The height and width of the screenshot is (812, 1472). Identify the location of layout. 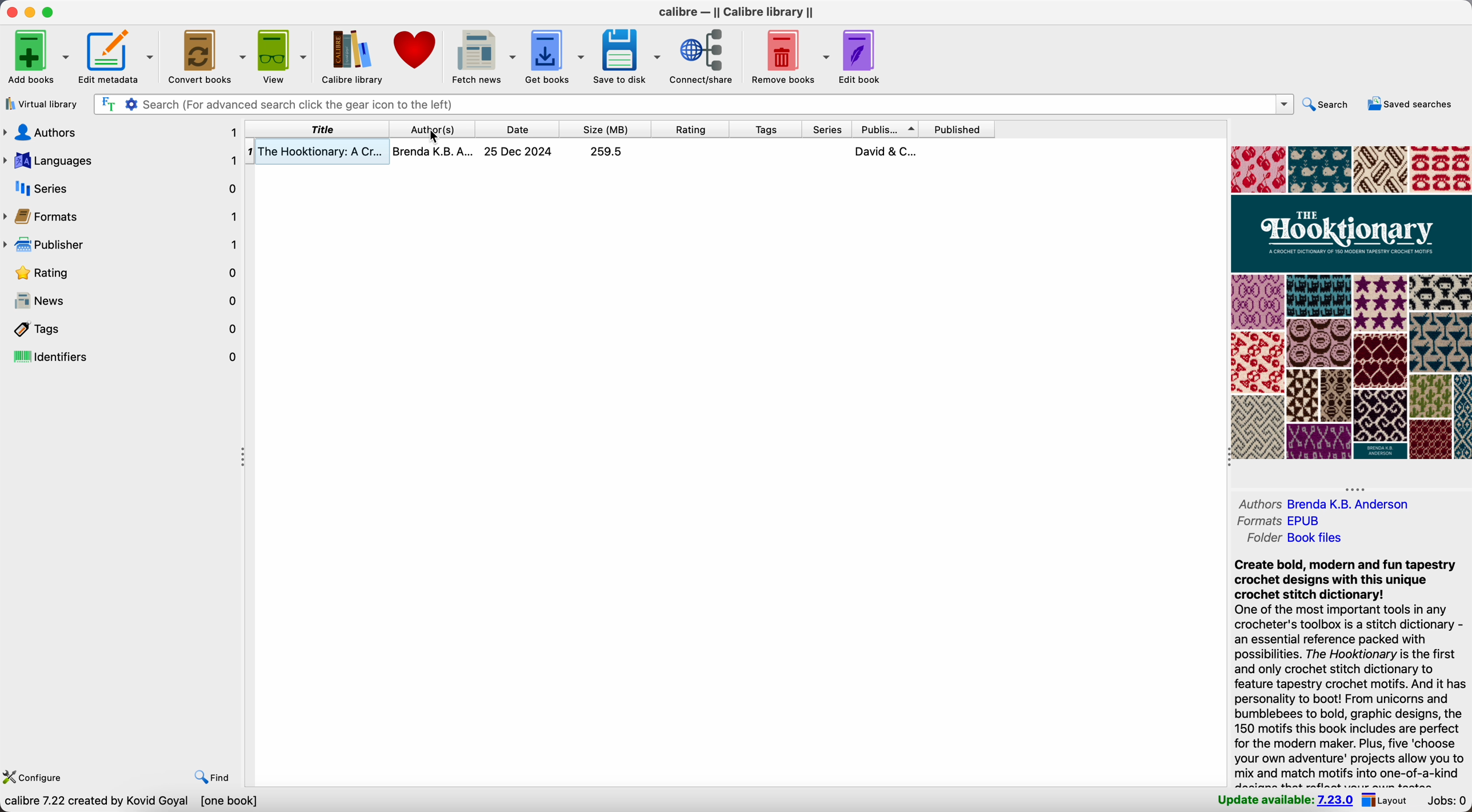
(1386, 800).